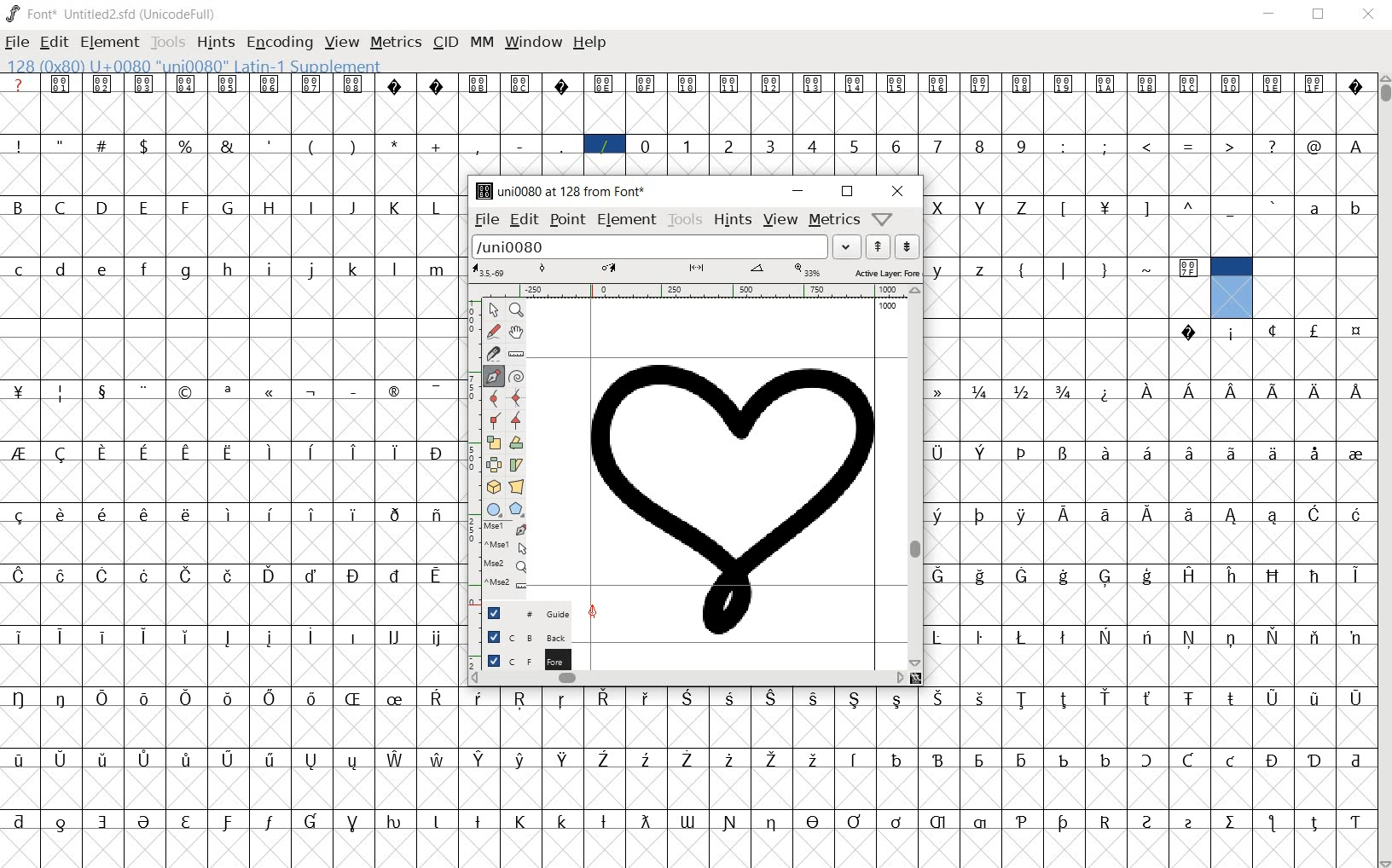 This screenshot has height=868, width=1392. What do you see at coordinates (687, 759) in the screenshot?
I see `glyph` at bounding box center [687, 759].